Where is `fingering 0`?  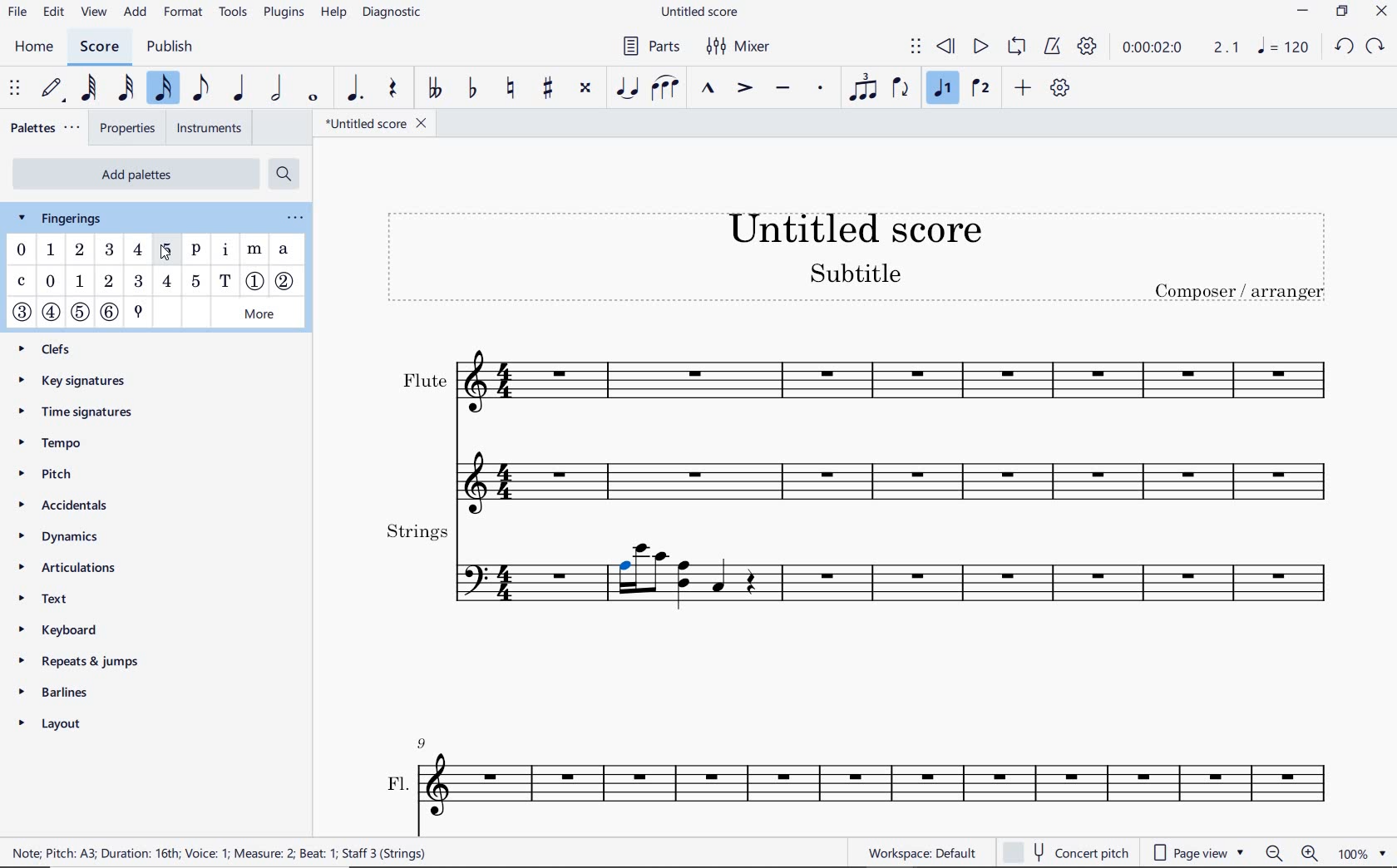 fingering 0 is located at coordinates (22, 249).